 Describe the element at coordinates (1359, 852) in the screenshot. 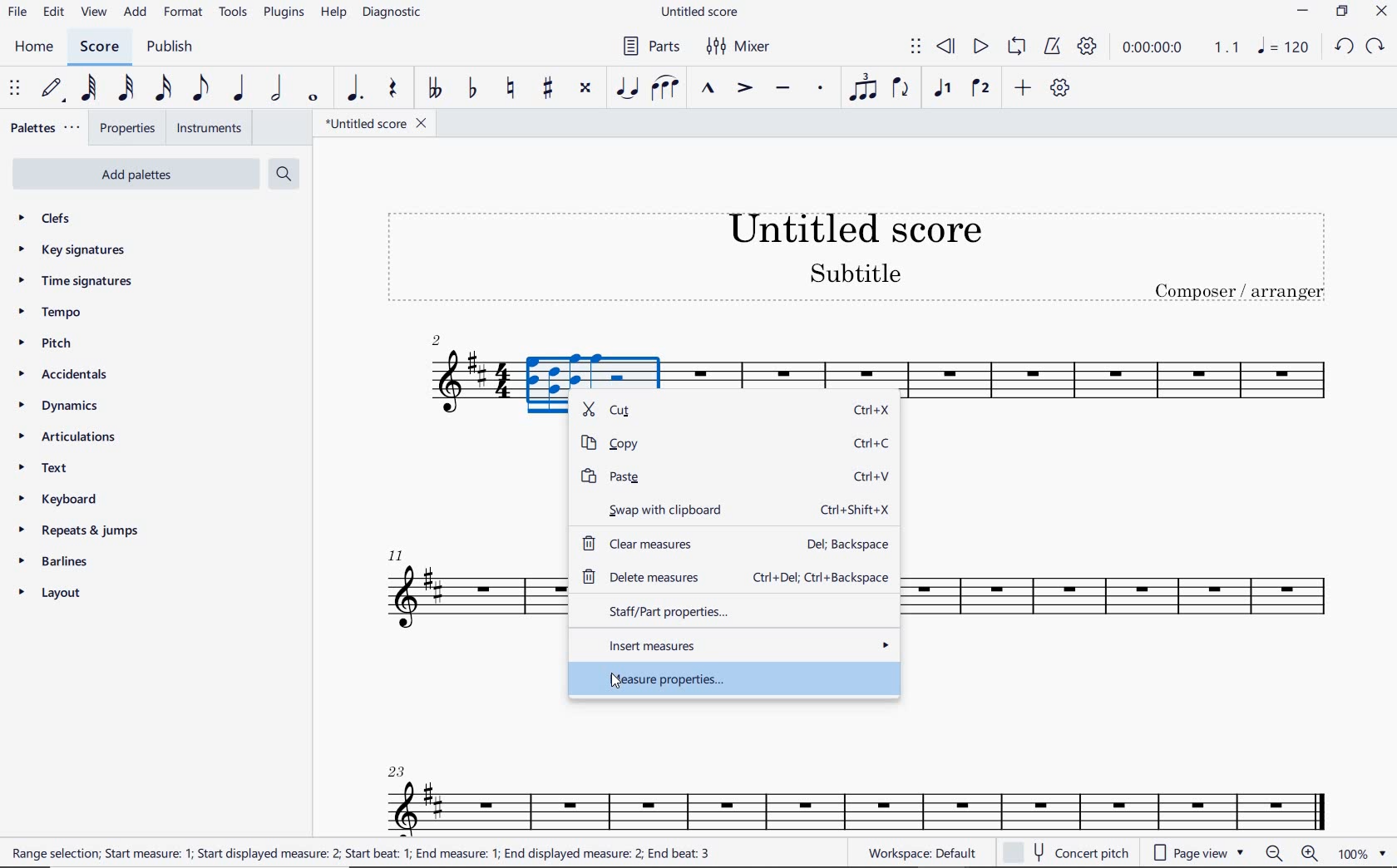

I see `zoom factor` at that location.